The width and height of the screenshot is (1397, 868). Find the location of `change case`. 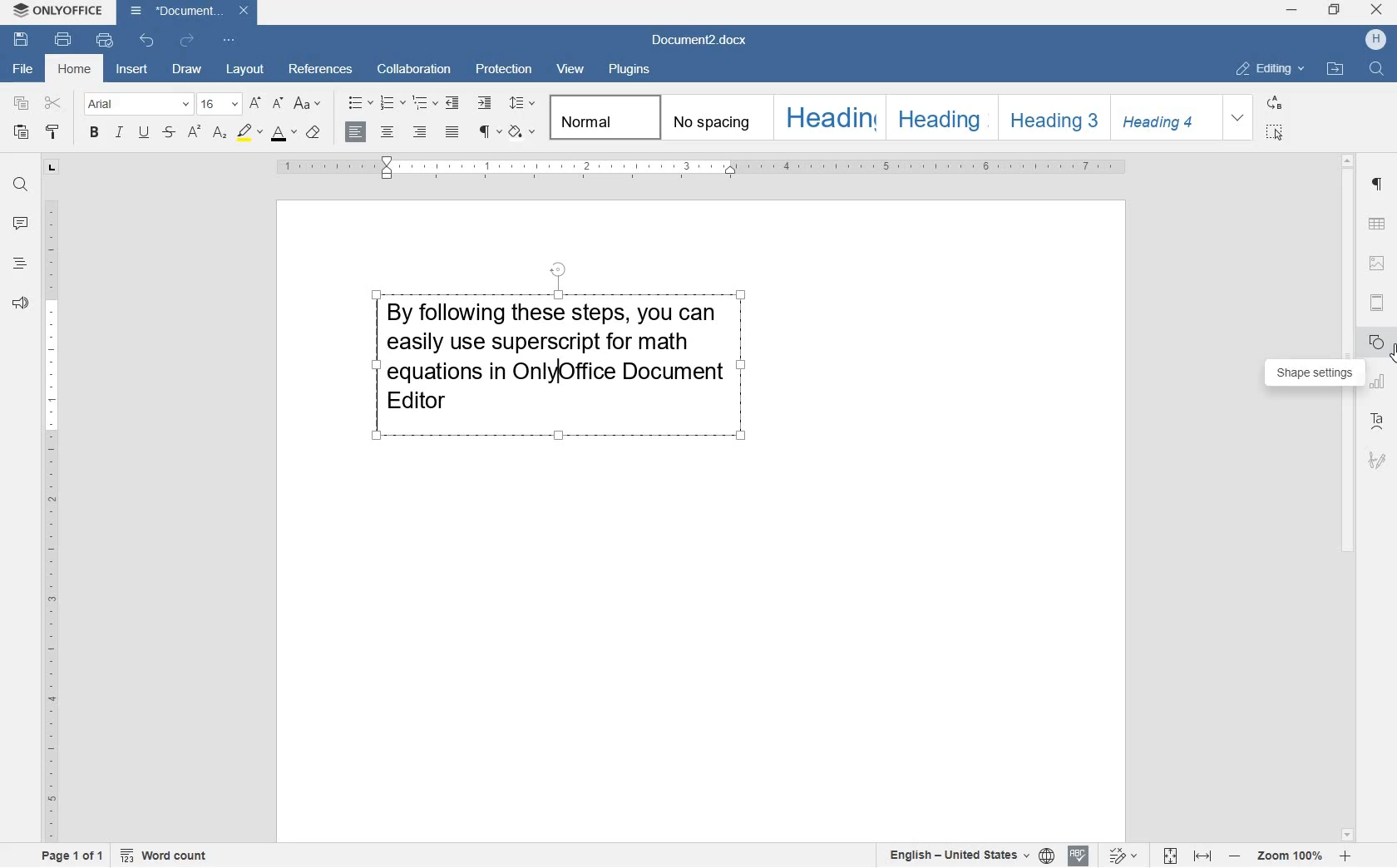

change case is located at coordinates (308, 104).